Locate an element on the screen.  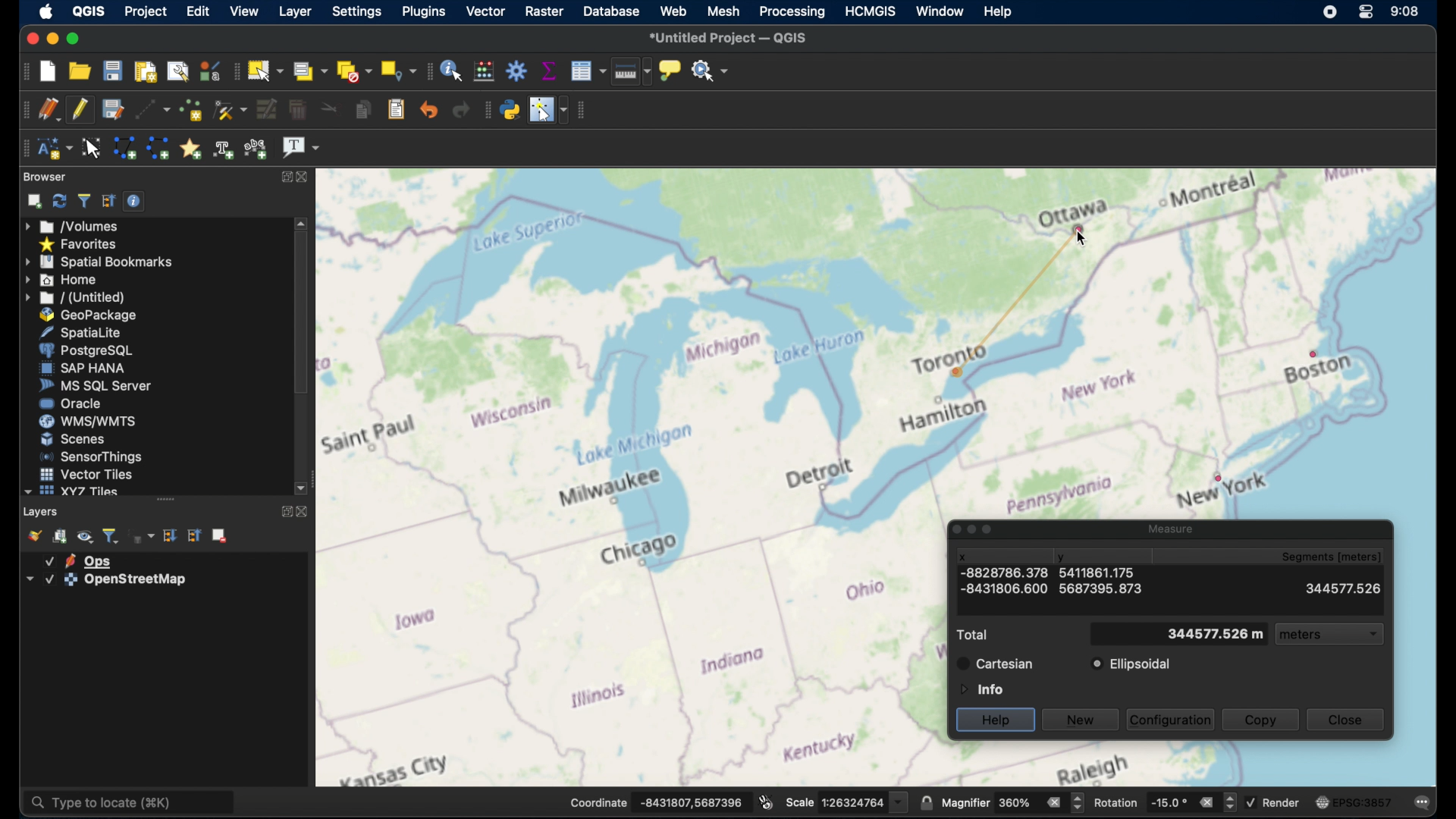
toggle extents and mouse position display is located at coordinates (766, 801).